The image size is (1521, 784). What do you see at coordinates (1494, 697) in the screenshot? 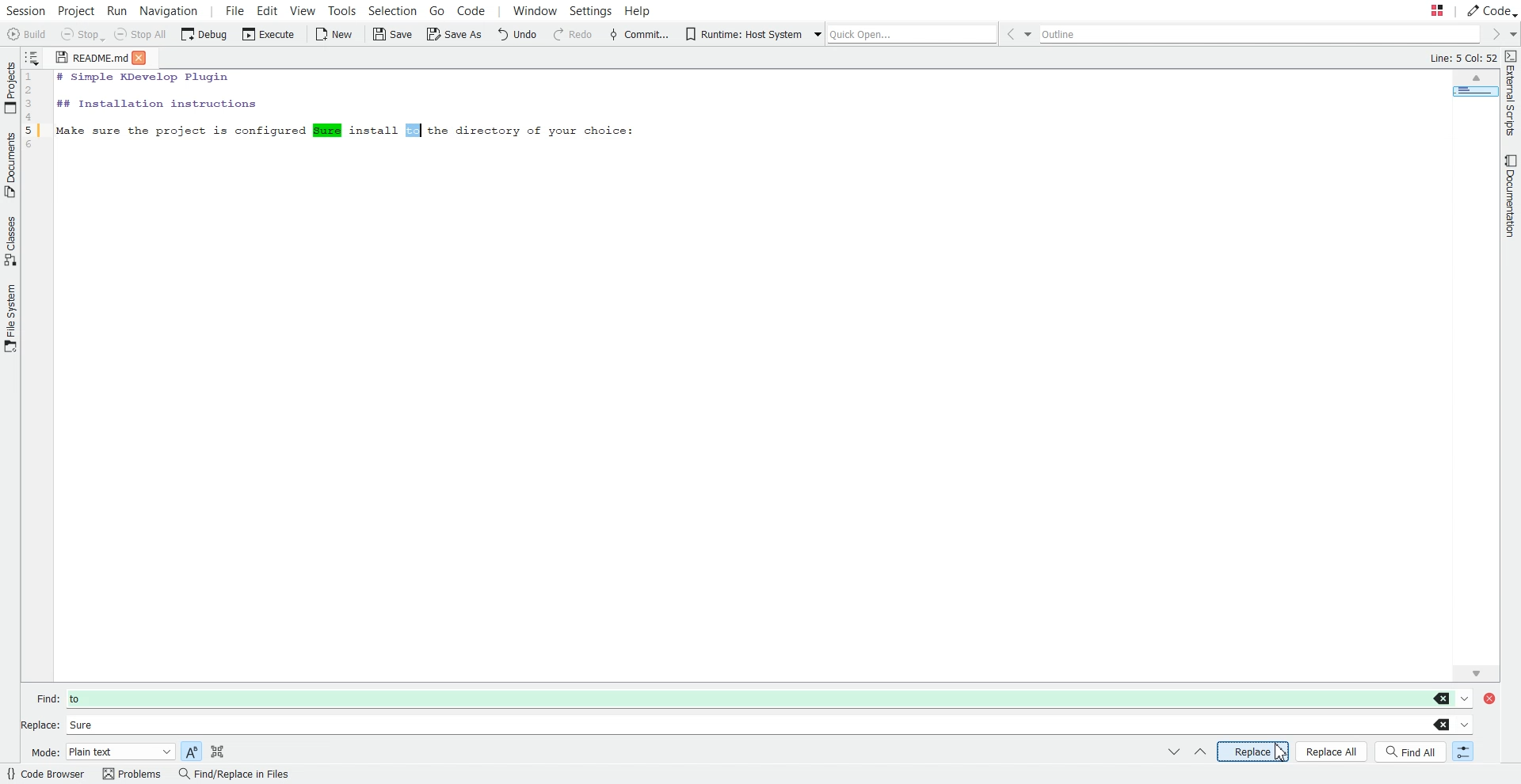
I see `Close Window` at bounding box center [1494, 697].